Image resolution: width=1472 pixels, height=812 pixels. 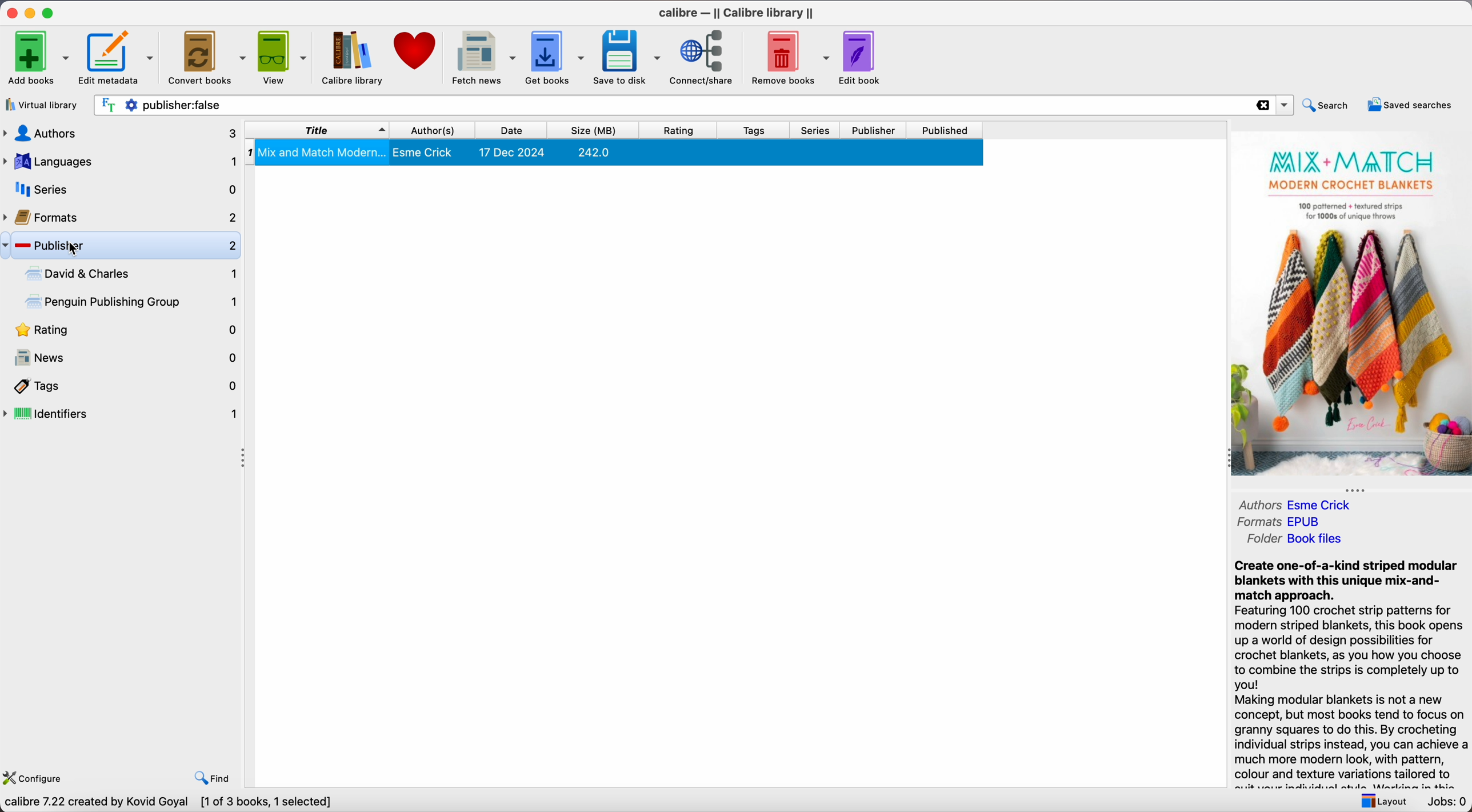 I want to click on David & Charles, so click(x=129, y=274).